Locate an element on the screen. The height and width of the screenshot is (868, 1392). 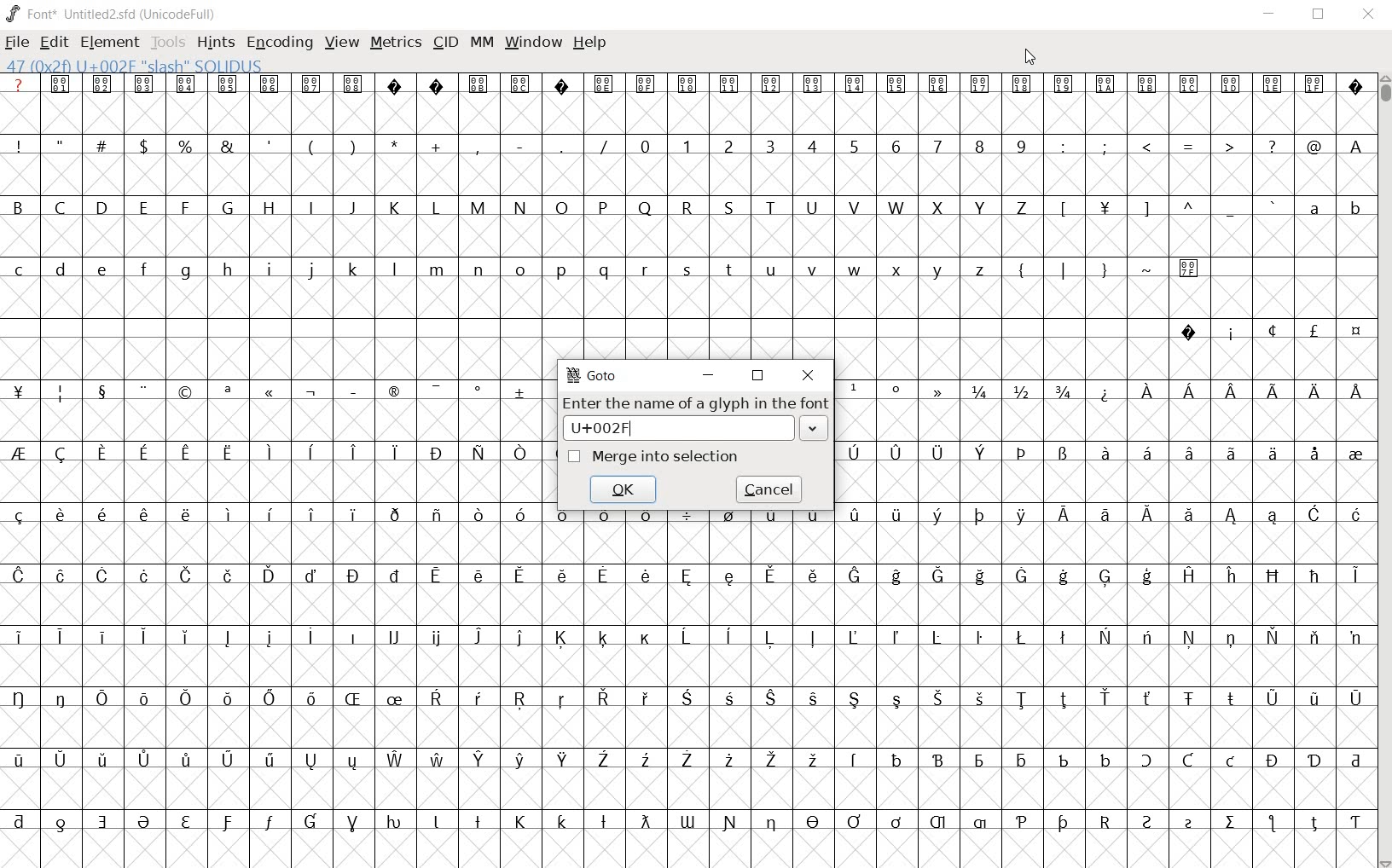
 is located at coordinates (685, 819).